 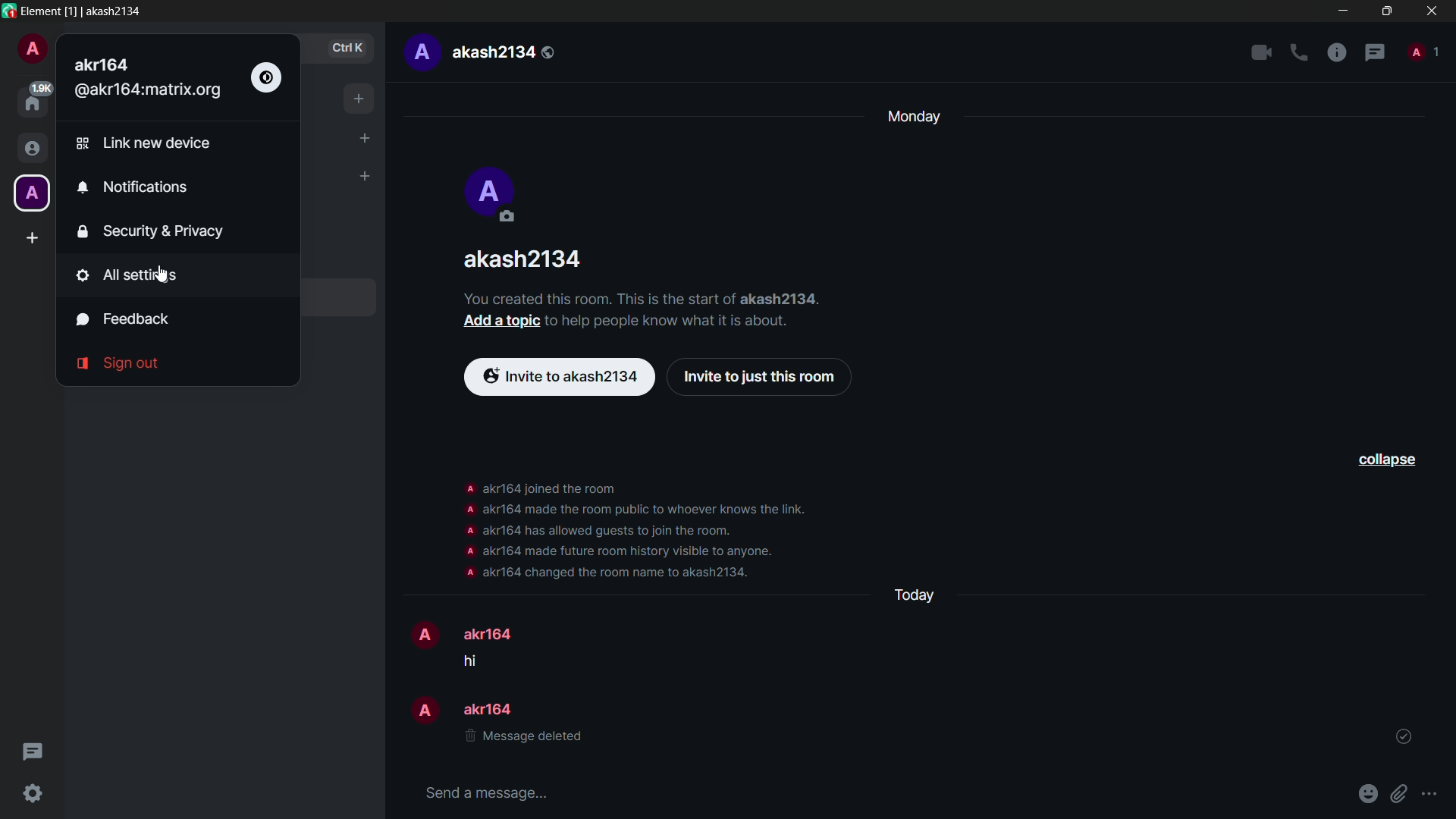 What do you see at coordinates (34, 795) in the screenshot?
I see `quick settings` at bounding box center [34, 795].